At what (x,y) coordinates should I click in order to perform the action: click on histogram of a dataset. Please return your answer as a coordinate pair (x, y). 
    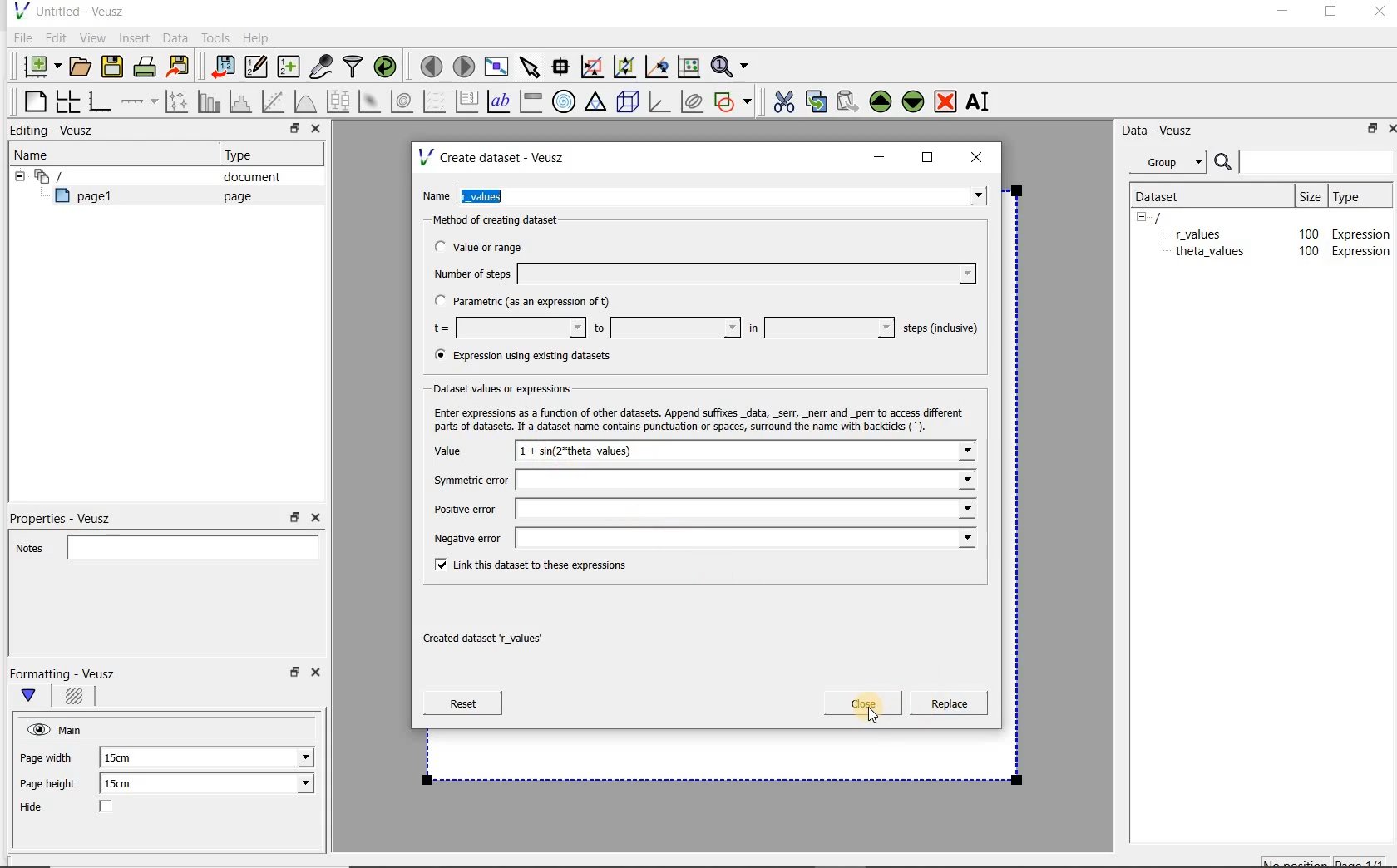
    Looking at the image, I should click on (243, 101).